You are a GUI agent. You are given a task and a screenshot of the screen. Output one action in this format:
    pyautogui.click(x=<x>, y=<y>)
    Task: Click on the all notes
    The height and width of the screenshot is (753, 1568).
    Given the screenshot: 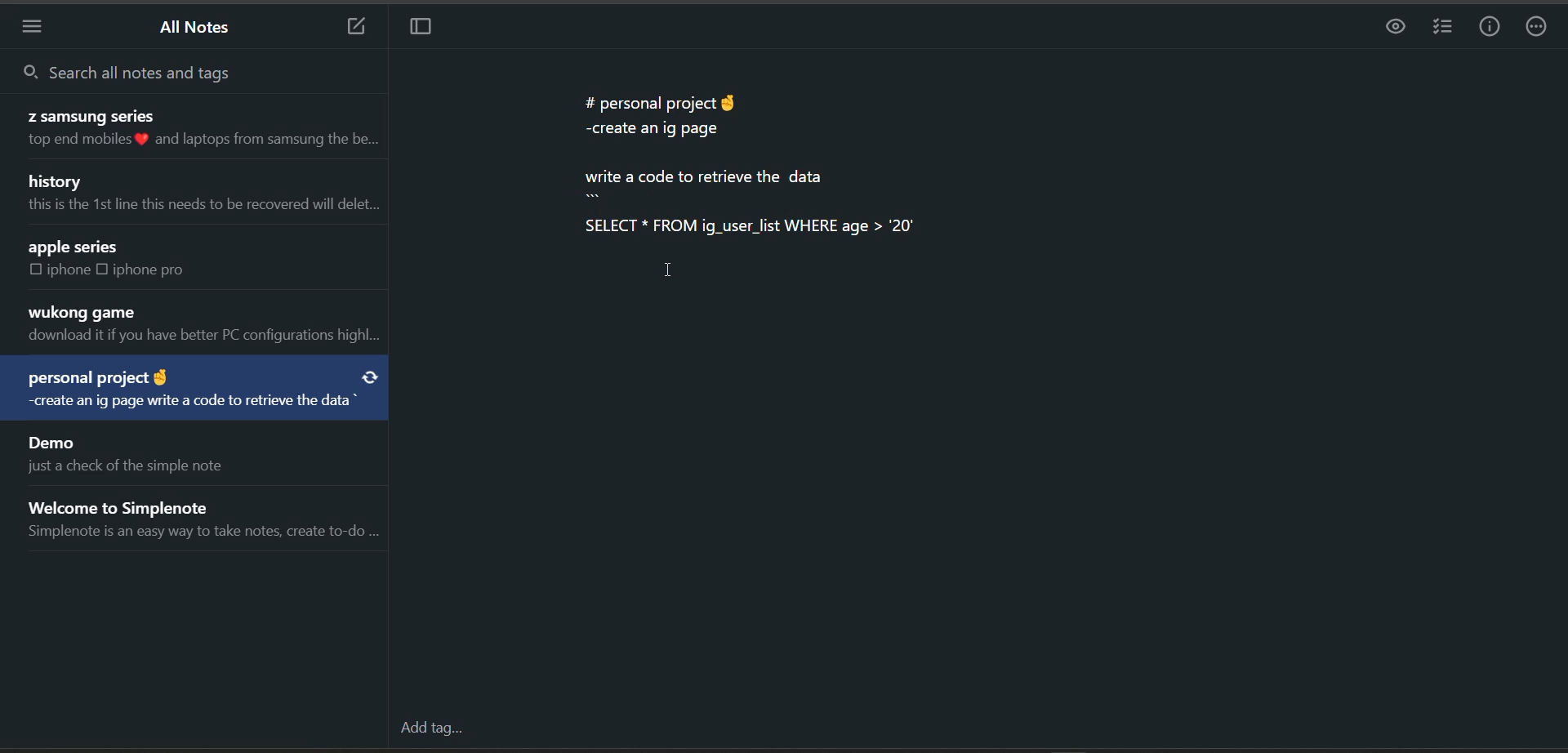 What is the action you would take?
    pyautogui.click(x=197, y=30)
    